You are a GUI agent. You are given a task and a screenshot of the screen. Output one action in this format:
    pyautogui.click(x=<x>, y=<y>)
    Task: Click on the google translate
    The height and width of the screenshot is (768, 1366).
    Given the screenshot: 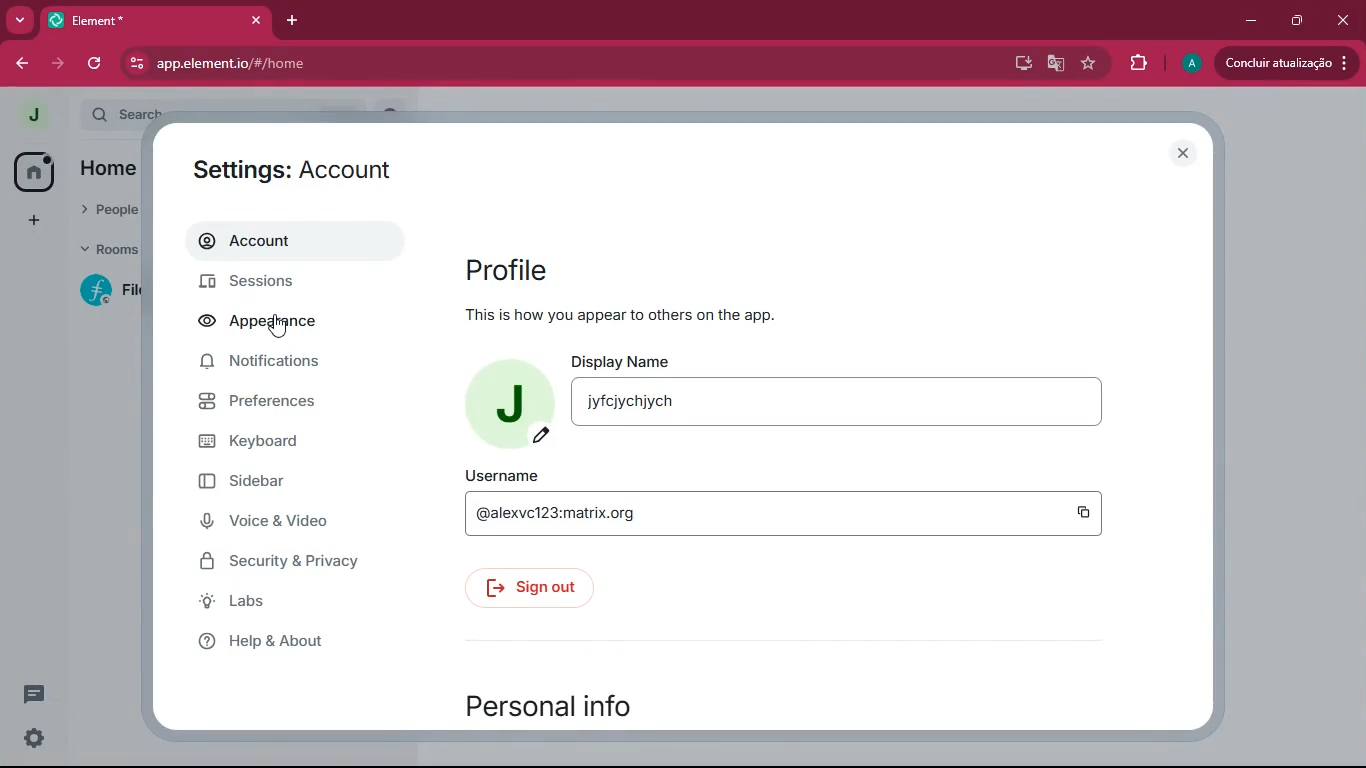 What is the action you would take?
    pyautogui.click(x=1054, y=64)
    